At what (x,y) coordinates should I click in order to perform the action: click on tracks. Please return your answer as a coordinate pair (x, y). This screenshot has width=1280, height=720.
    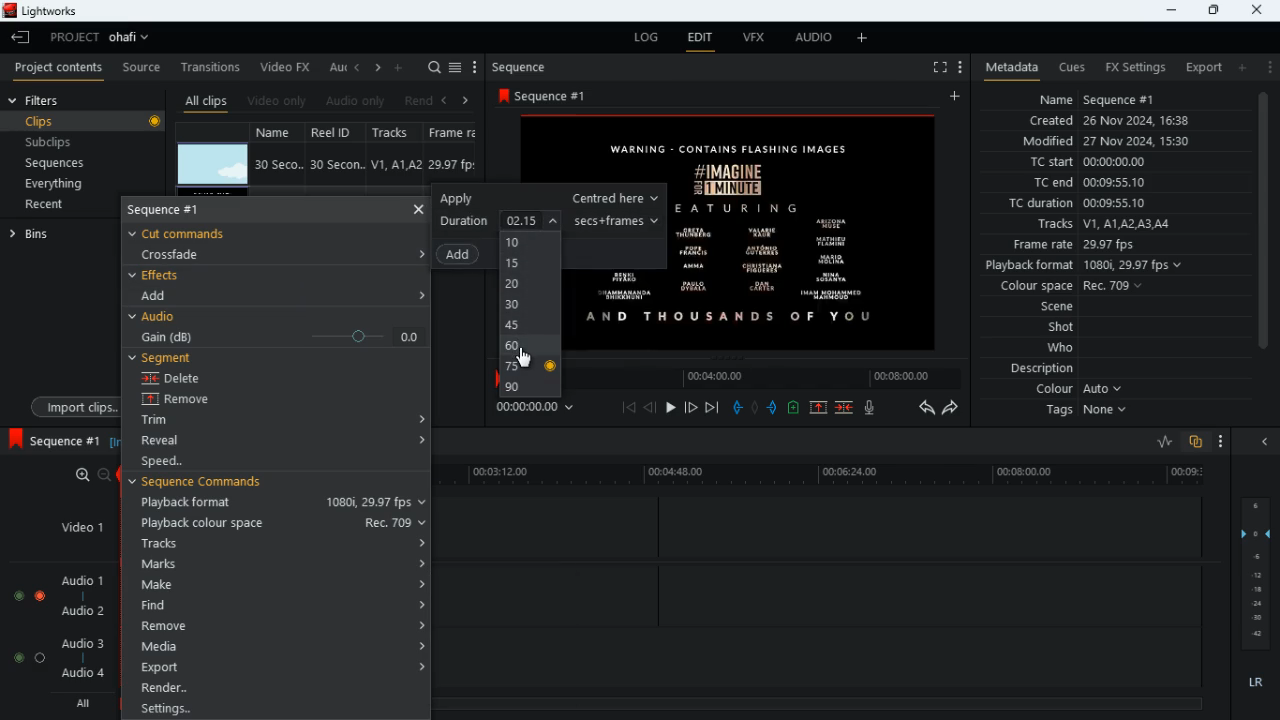
    Looking at the image, I should click on (282, 543).